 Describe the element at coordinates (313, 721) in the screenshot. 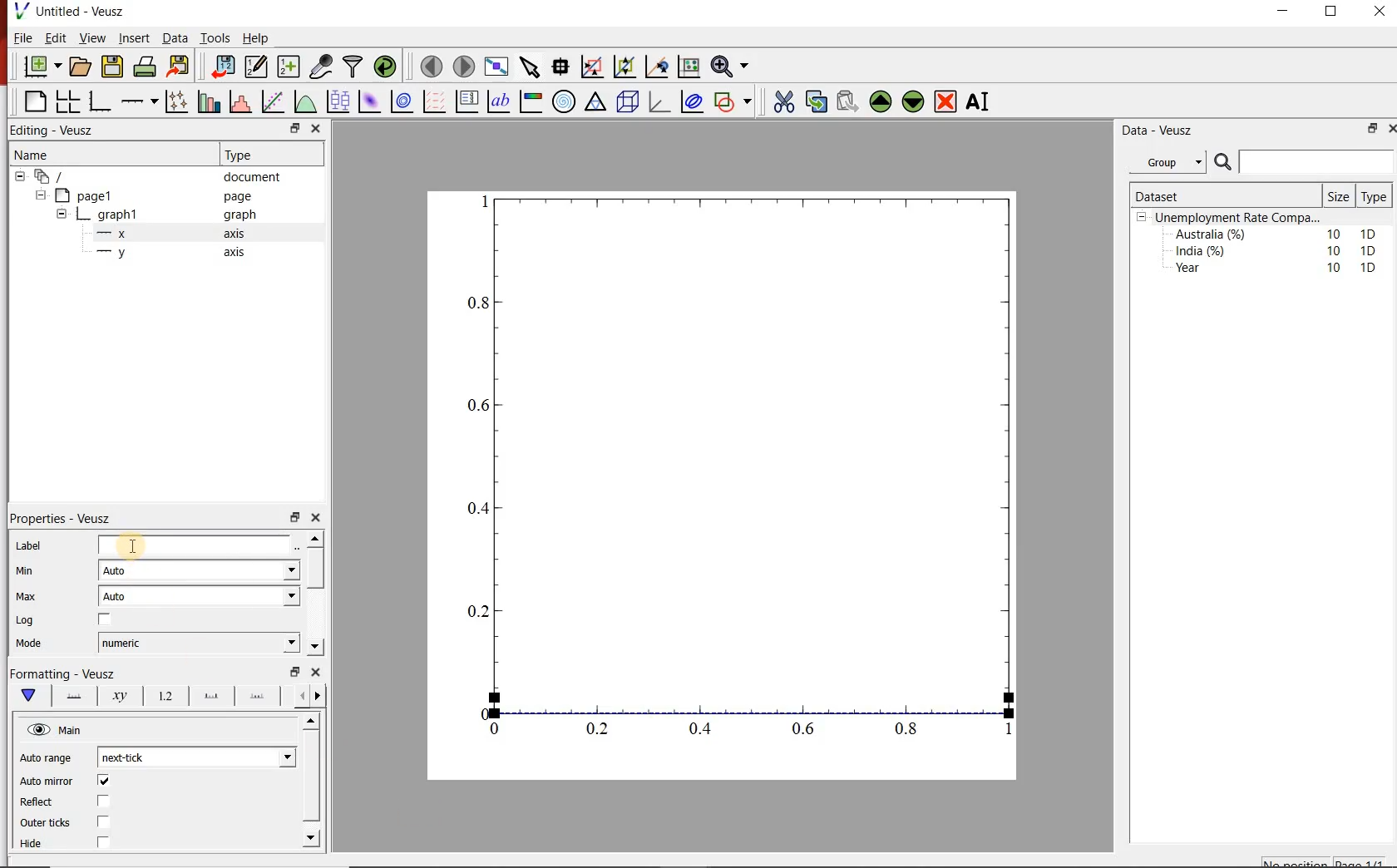

I see `move up` at that location.